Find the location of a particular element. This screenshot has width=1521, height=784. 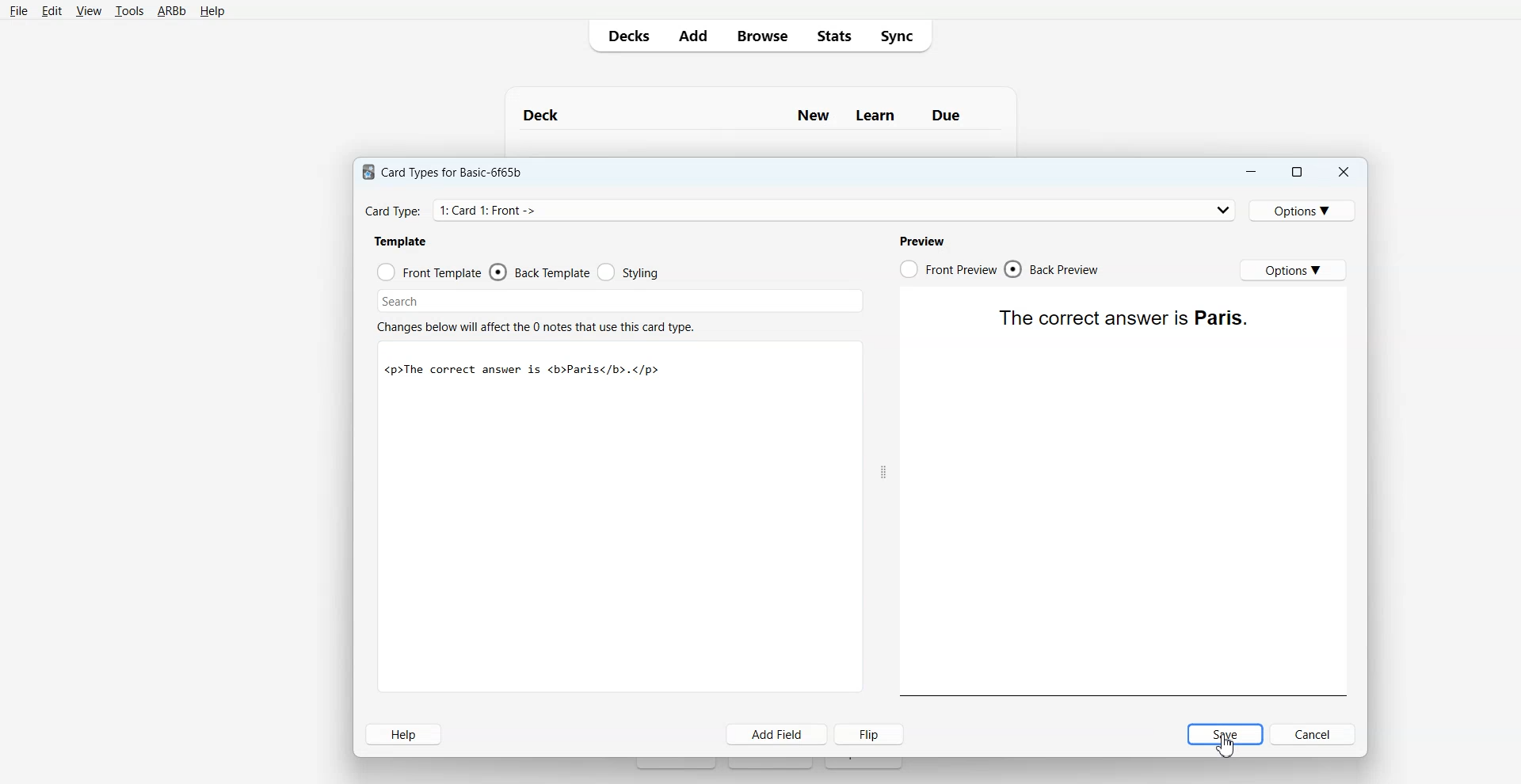

Options is located at coordinates (1294, 270).